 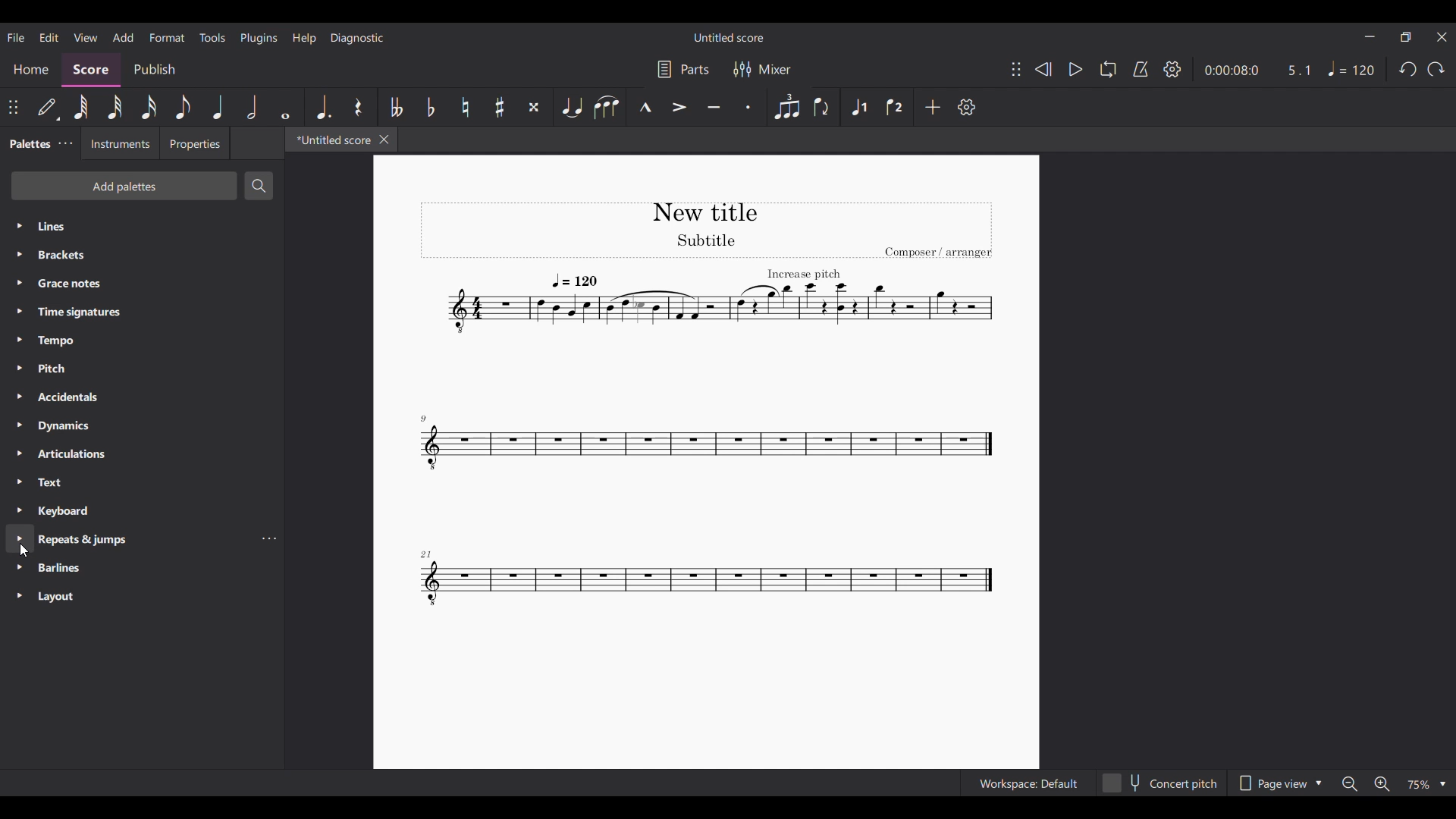 What do you see at coordinates (1172, 69) in the screenshot?
I see `Settings` at bounding box center [1172, 69].